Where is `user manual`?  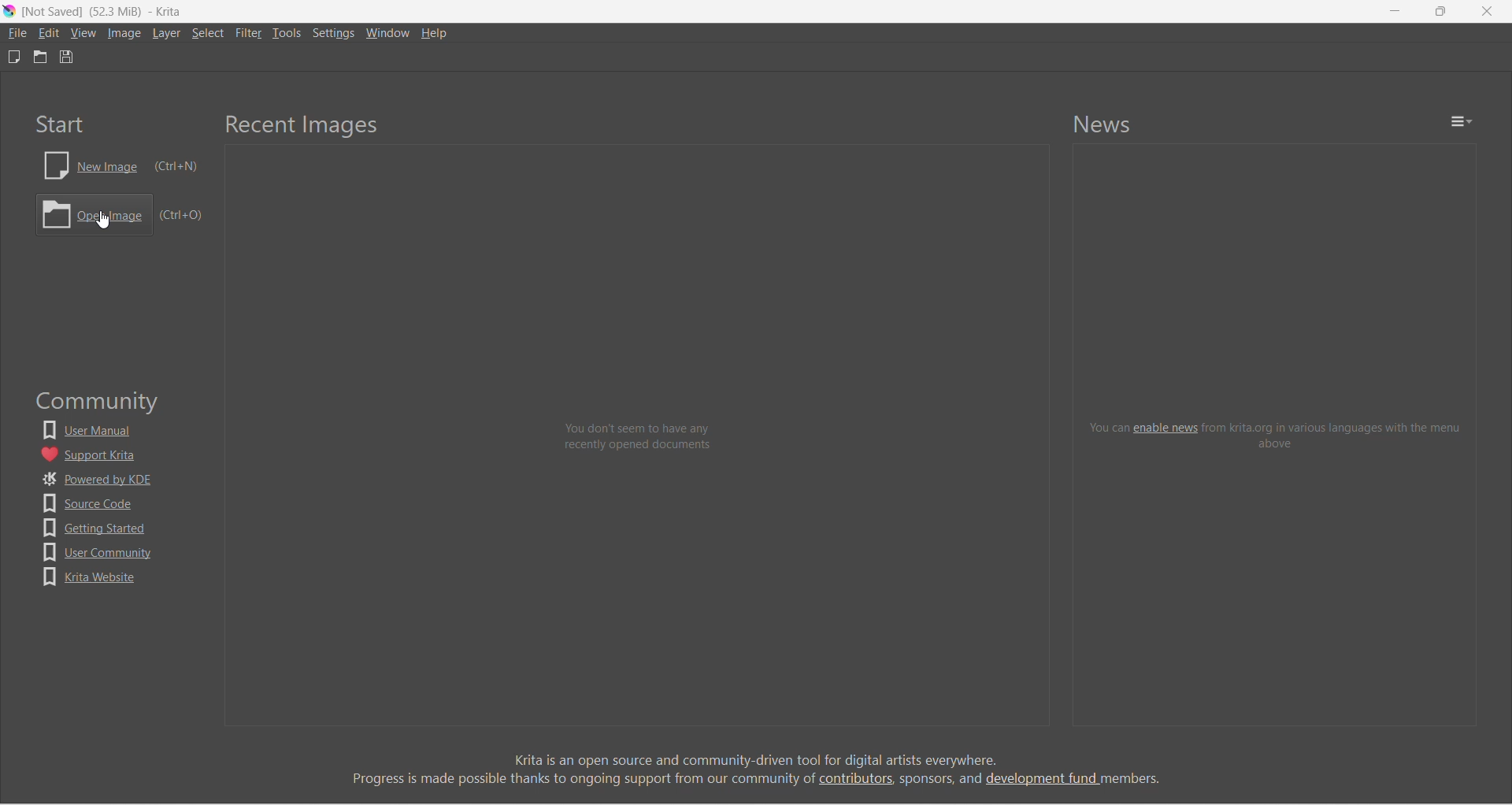 user manual is located at coordinates (92, 430).